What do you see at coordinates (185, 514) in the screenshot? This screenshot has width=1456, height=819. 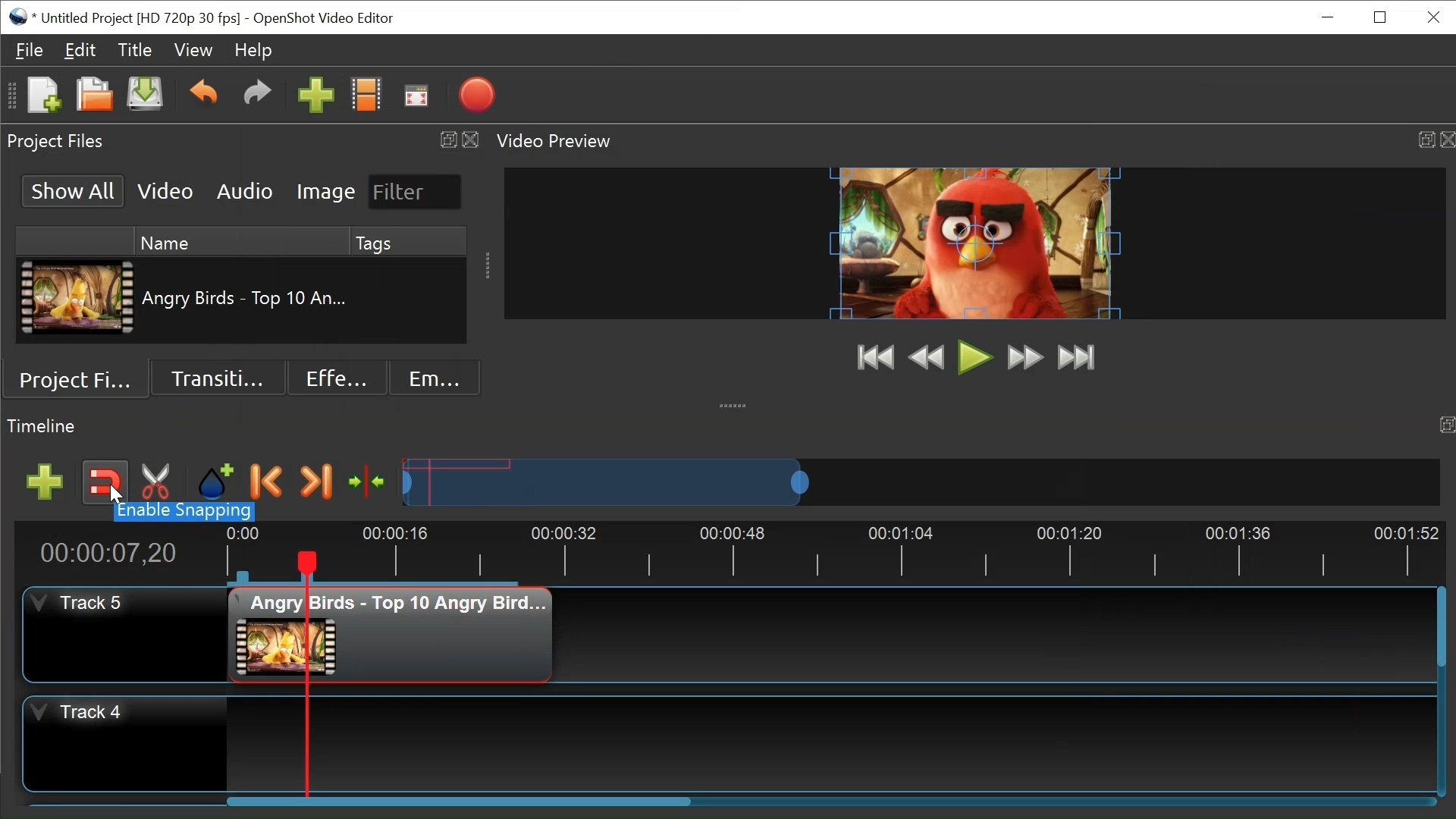 I see `Enable Snapping tooltip` at bounding box center [185, 514].